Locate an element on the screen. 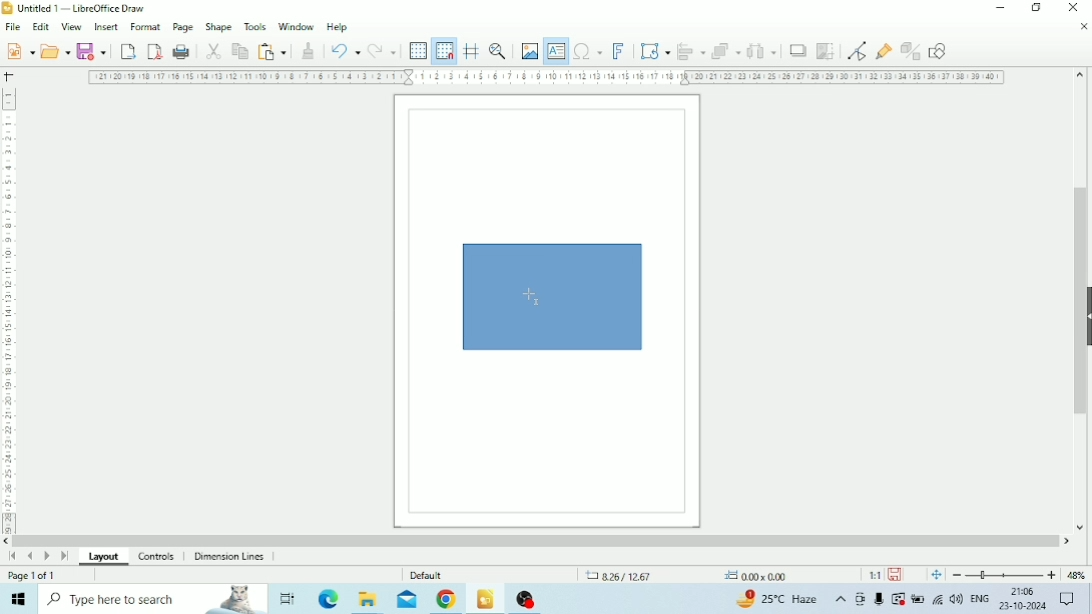  Snap to Grid is located at coordinates (445, 52).